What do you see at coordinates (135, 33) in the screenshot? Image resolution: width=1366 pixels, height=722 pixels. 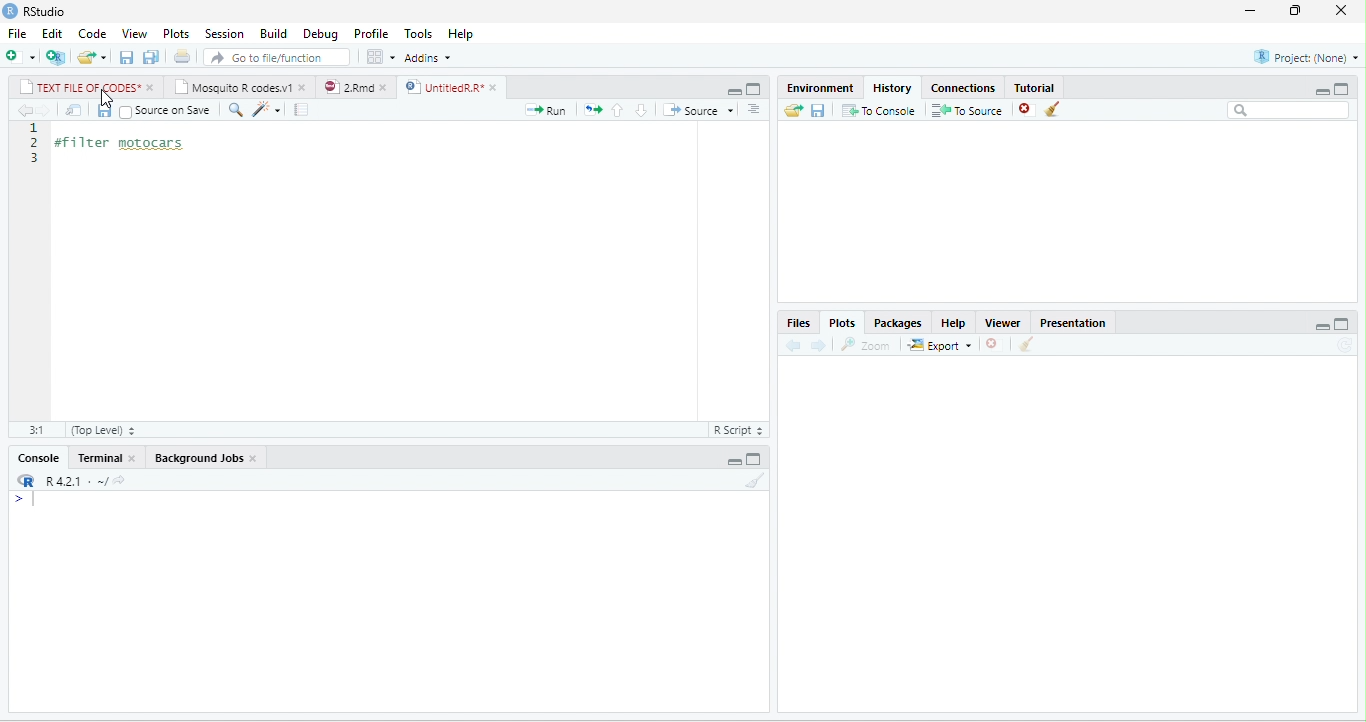 I see `View` at bounding box center [135, 33].